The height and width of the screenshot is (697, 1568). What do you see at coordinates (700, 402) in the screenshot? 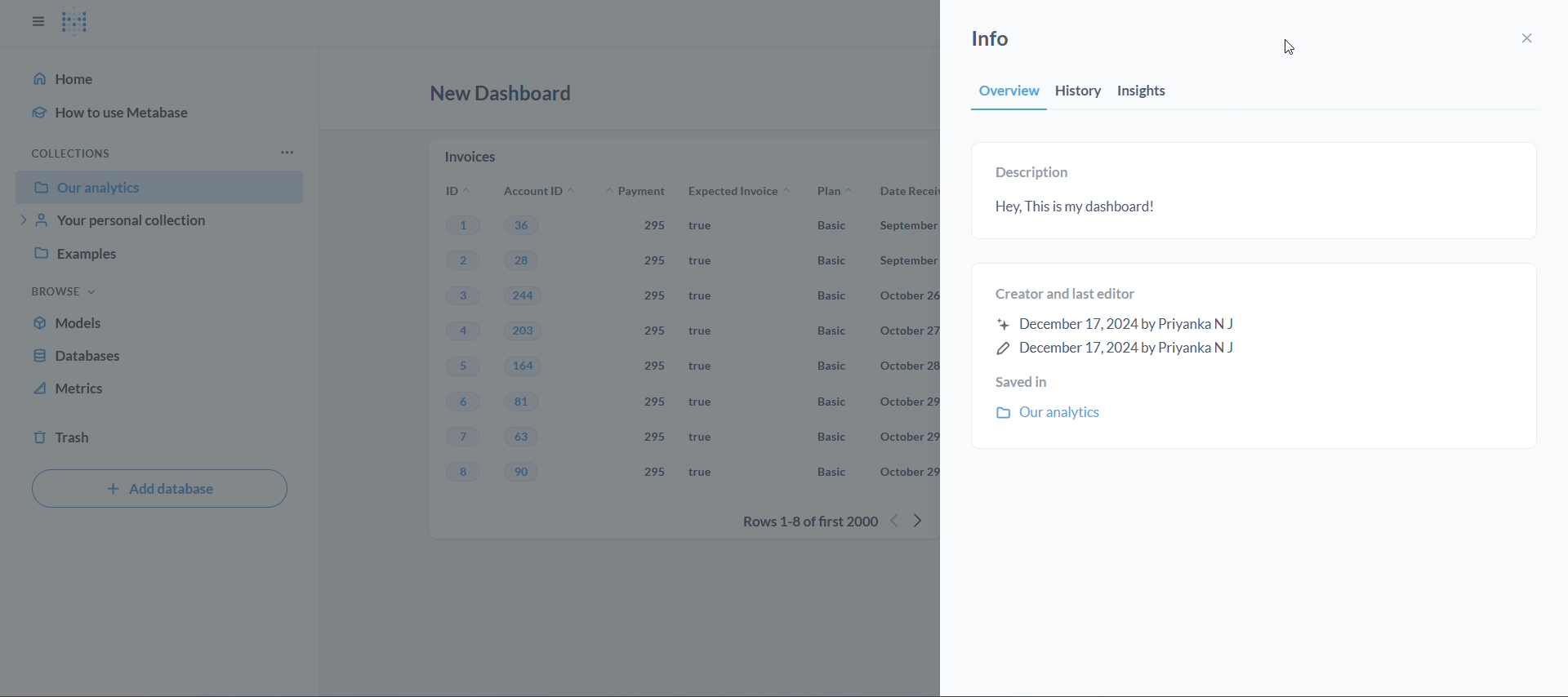
I see `true` at bounding box center [700, 402].